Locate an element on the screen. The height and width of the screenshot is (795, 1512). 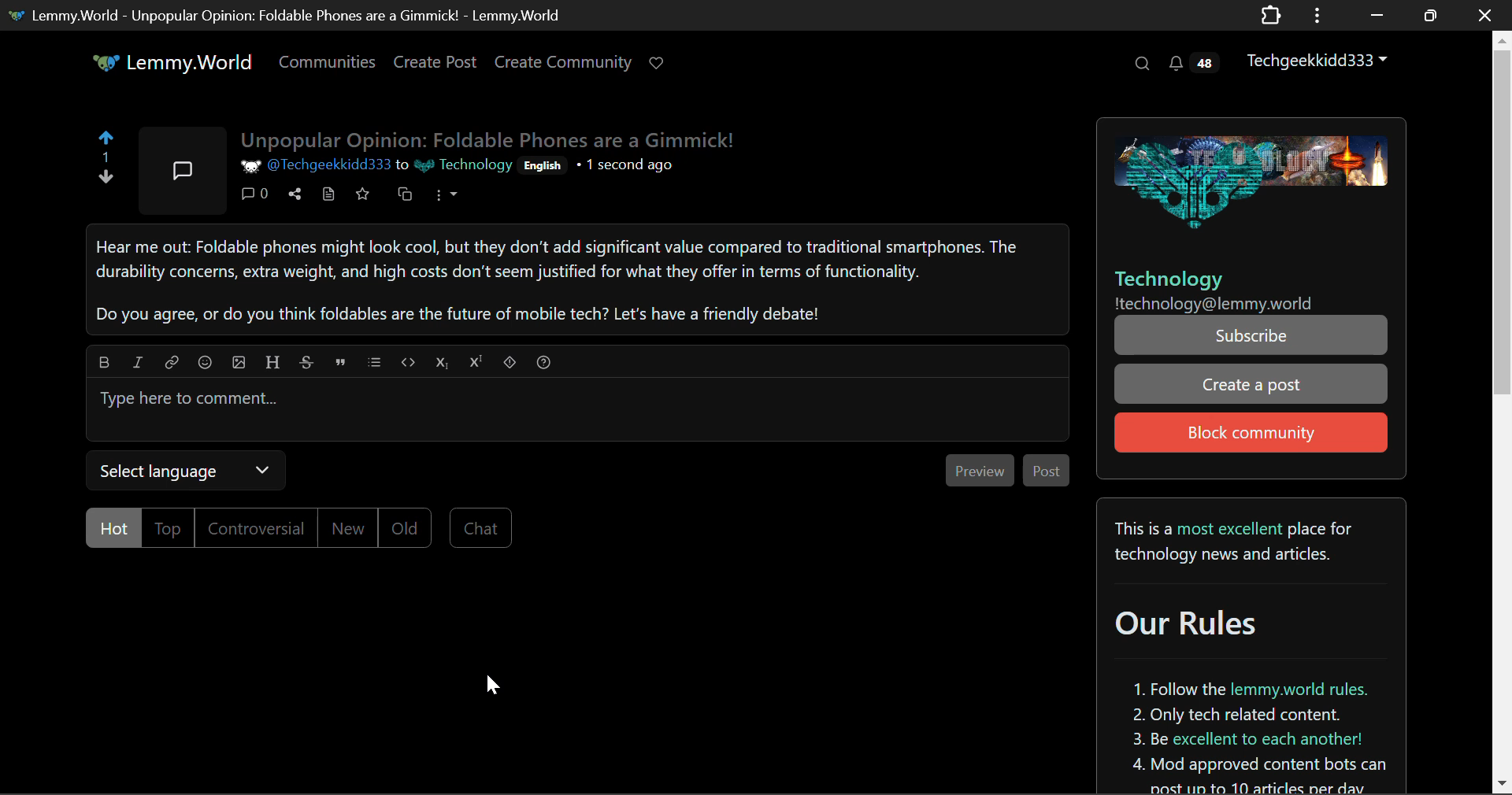
Subscribe Button is located at coordinates (1252, 335).